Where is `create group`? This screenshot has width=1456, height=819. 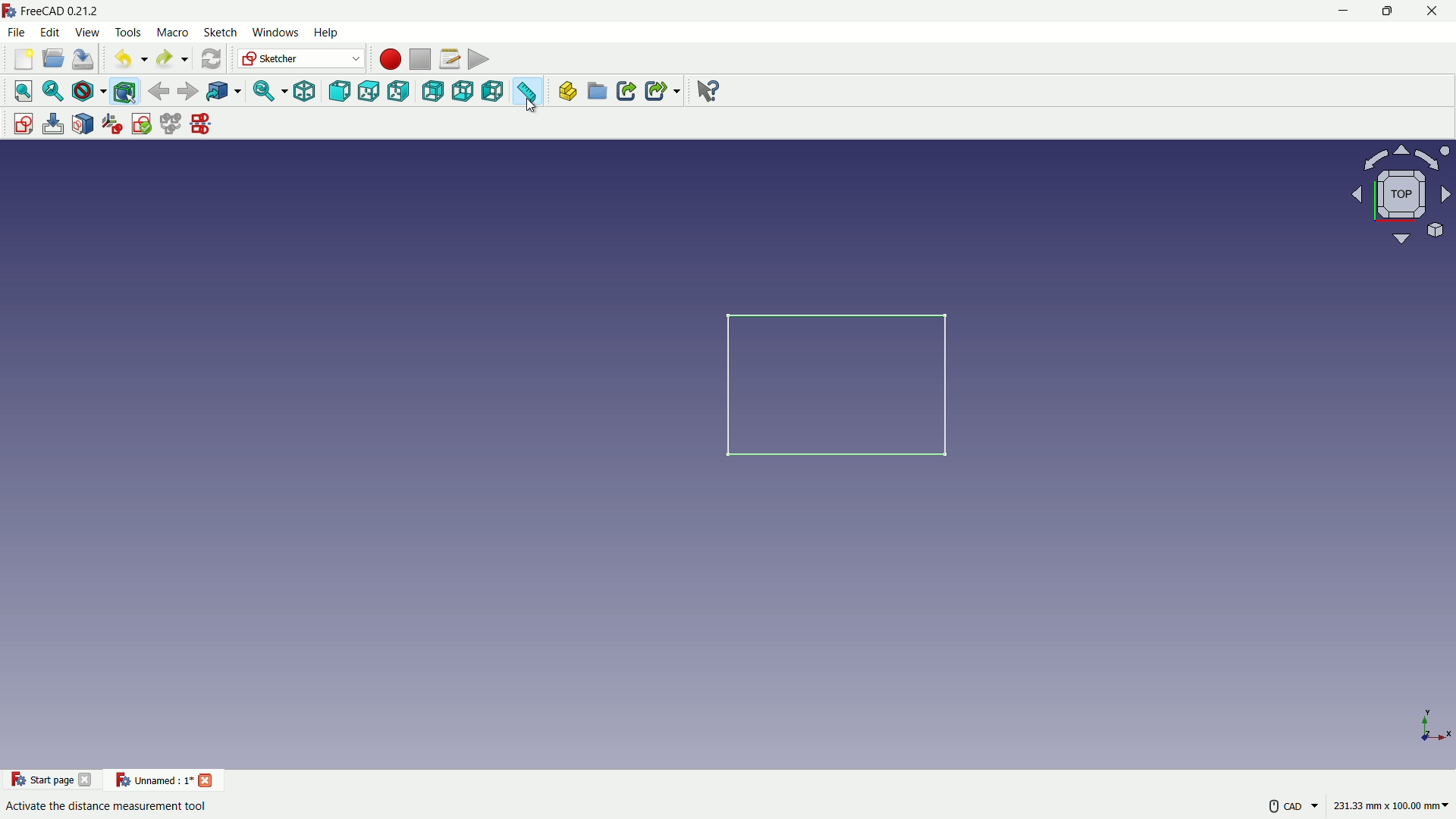 create group is located at coordinates (598, 93).